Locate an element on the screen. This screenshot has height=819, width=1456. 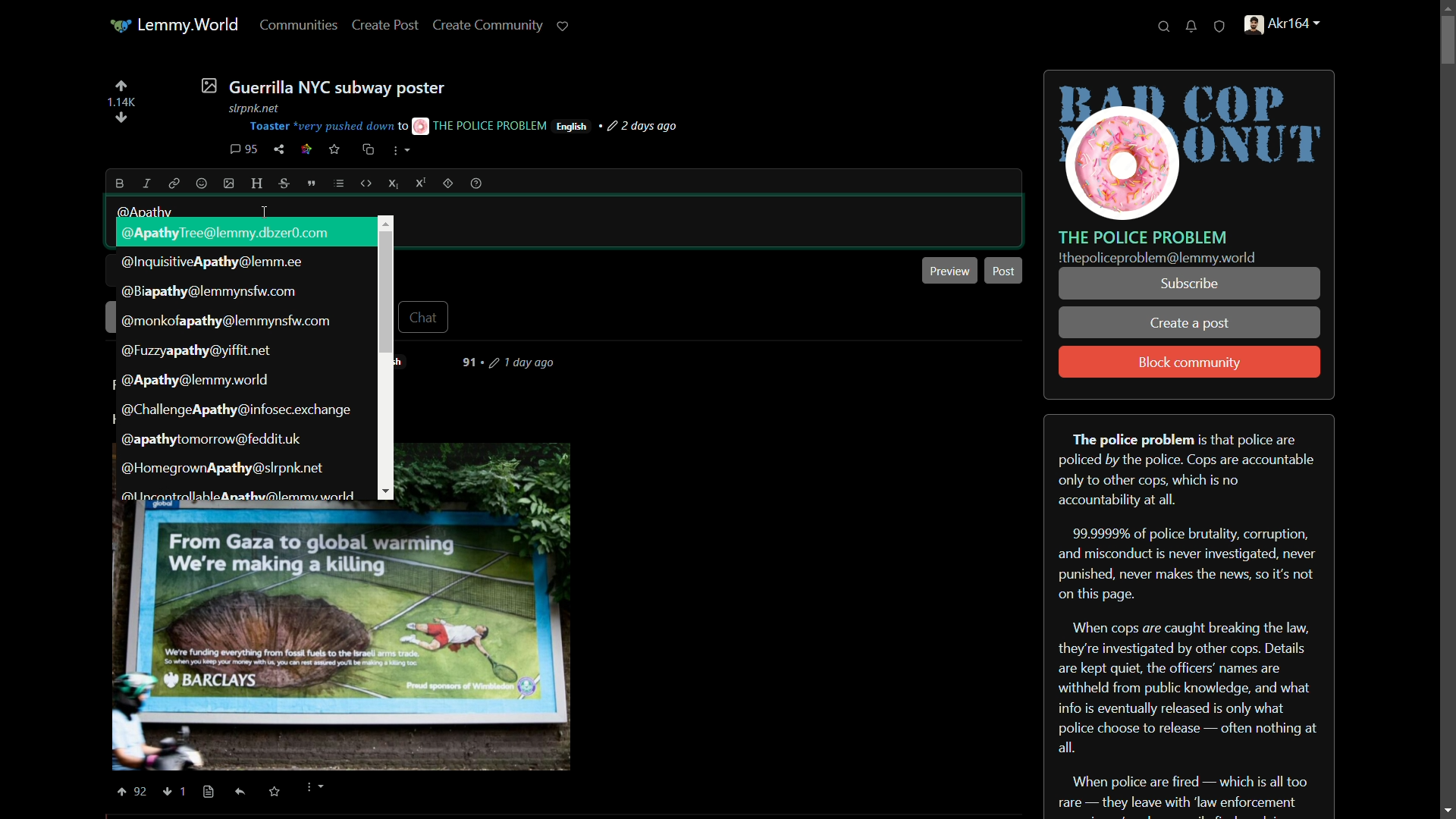
reply is located at coordinates (244, 794).